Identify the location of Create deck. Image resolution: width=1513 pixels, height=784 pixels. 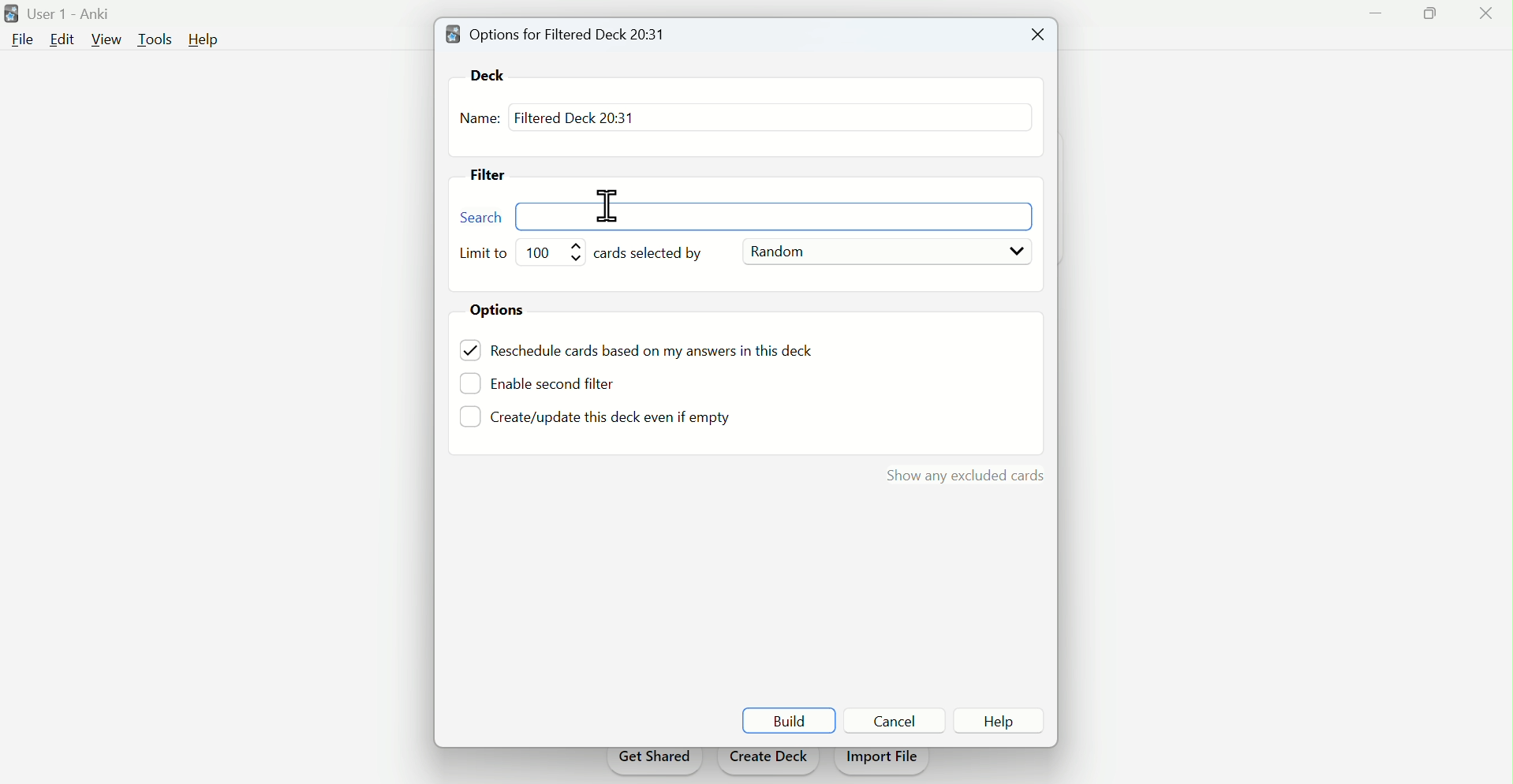
(768, 761).